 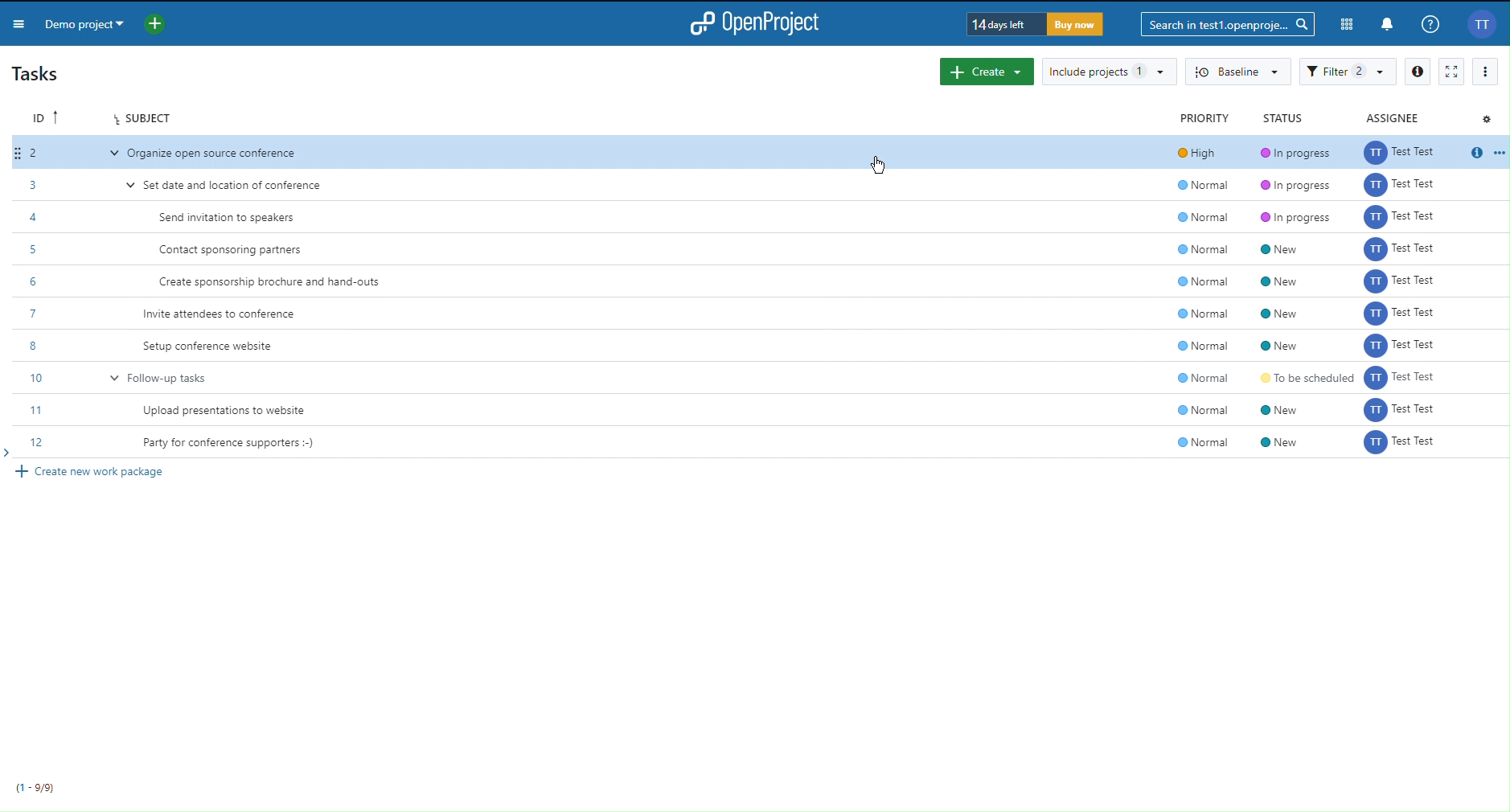 I want to click on Baseline, so click(x=1237, y=71).